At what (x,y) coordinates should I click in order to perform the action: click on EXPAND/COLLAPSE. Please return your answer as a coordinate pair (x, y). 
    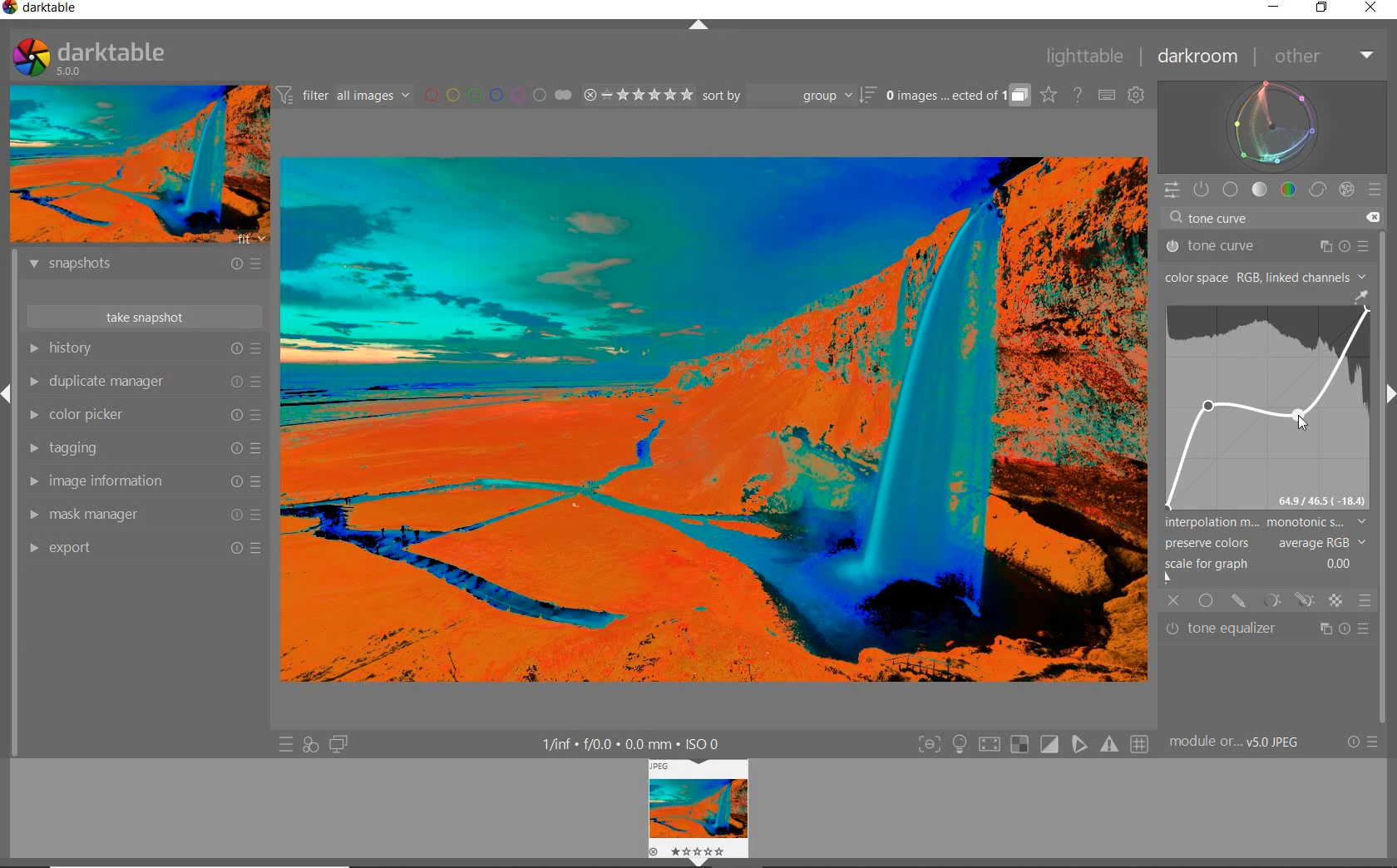
    Looking at the image, I should click on (700, 28).